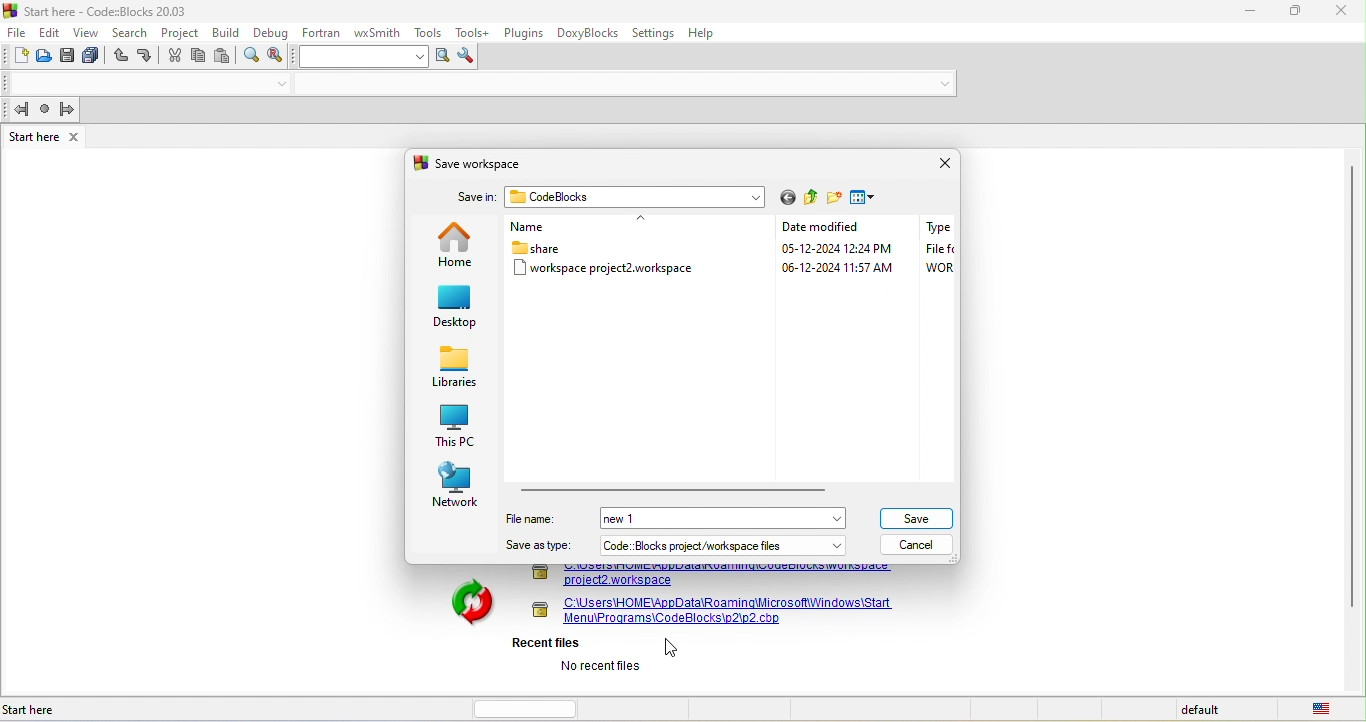 This screenshot has width=1366, height=722. What do you see at coordinates (812, 200) in the screenshot?
I see `up one level` at bounding box center [812, 200].